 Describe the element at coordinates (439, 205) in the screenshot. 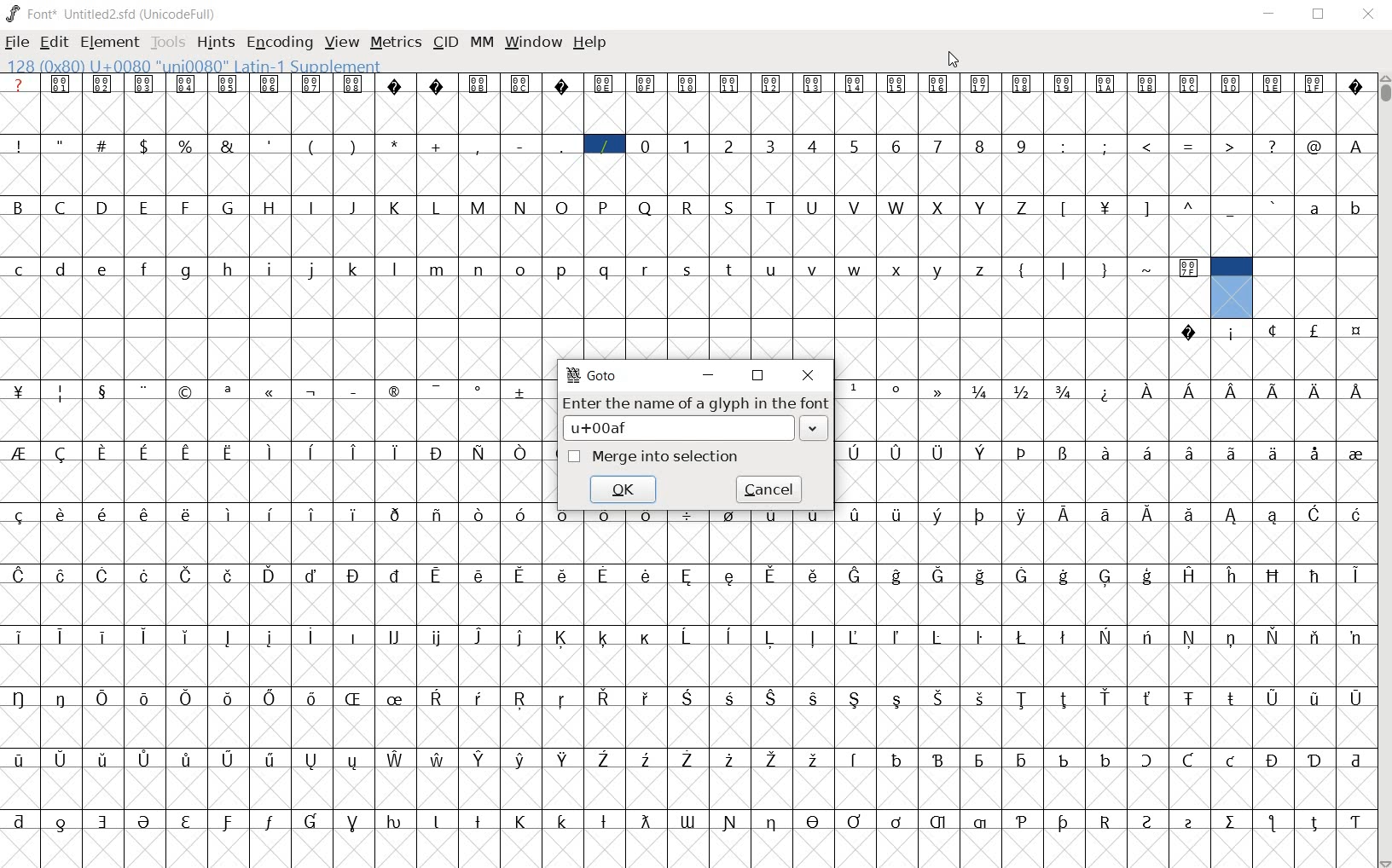

I see `L` at that location.